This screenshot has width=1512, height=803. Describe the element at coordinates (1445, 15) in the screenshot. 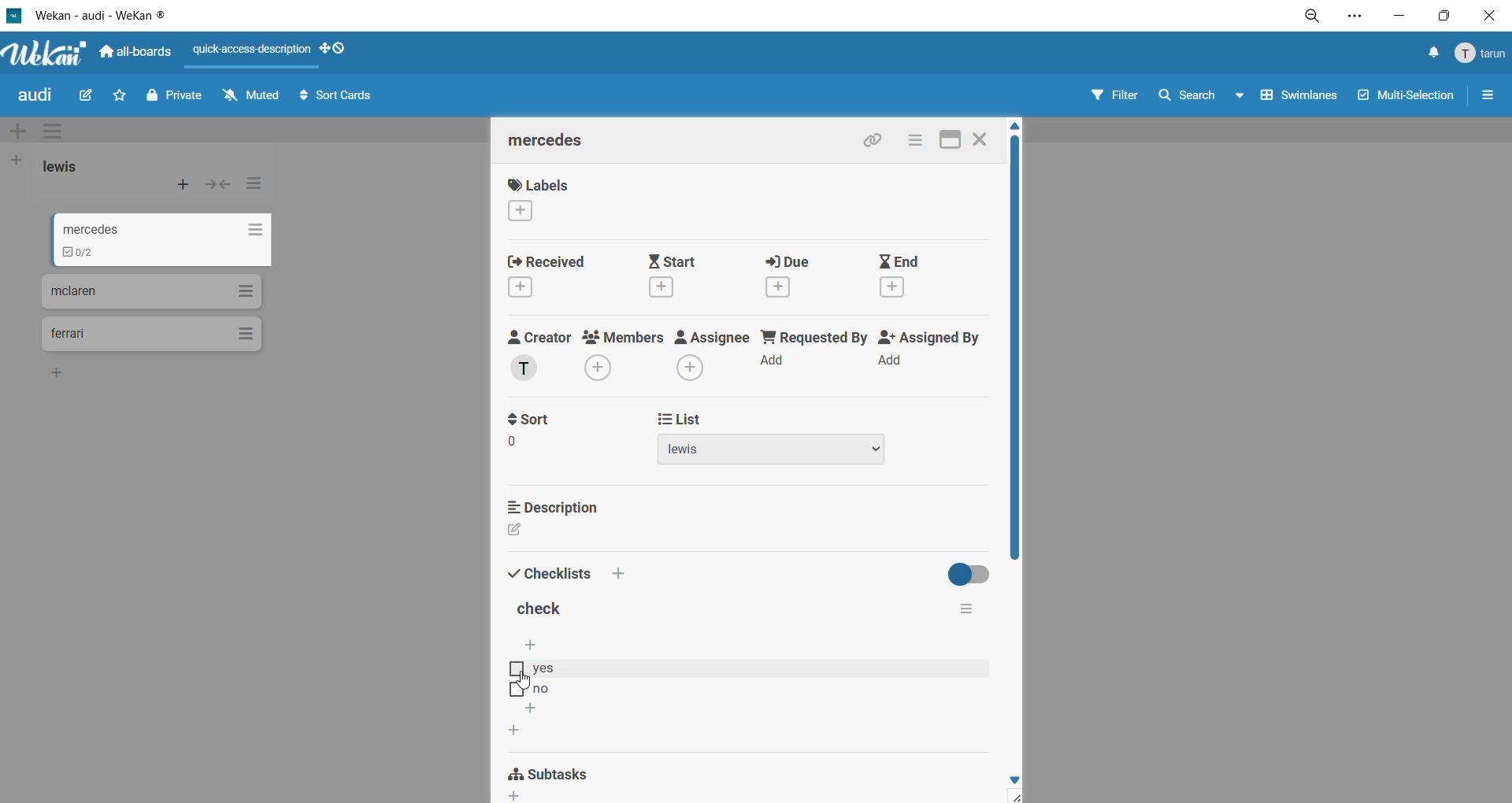

I see `maximize` at that location.